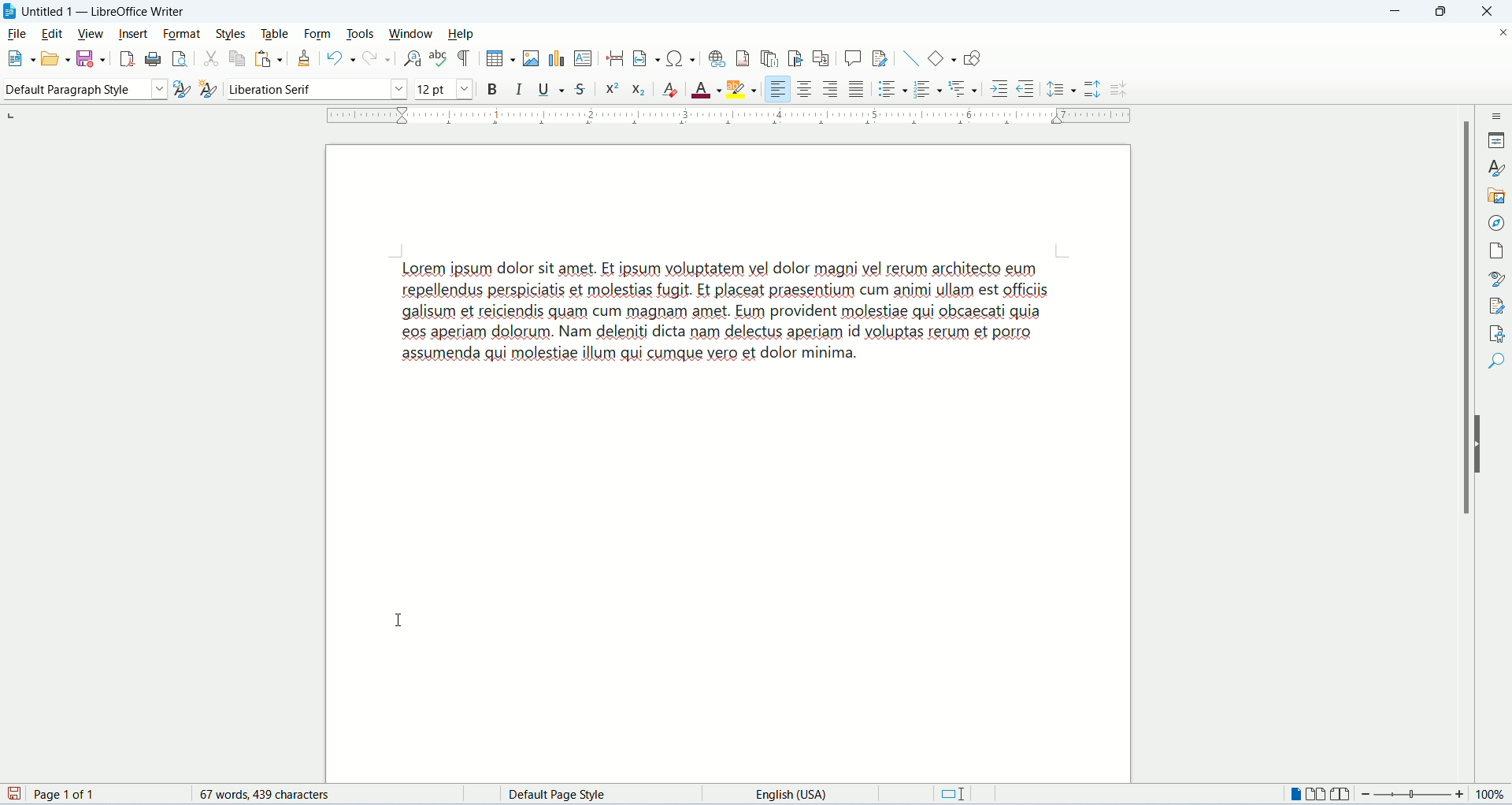 Image resolution: width=1512 pixels, height=805 pixels. What do you see at coordinates (52, 58) in the screenshot?
I see `open` at bounding box center [52, 58].